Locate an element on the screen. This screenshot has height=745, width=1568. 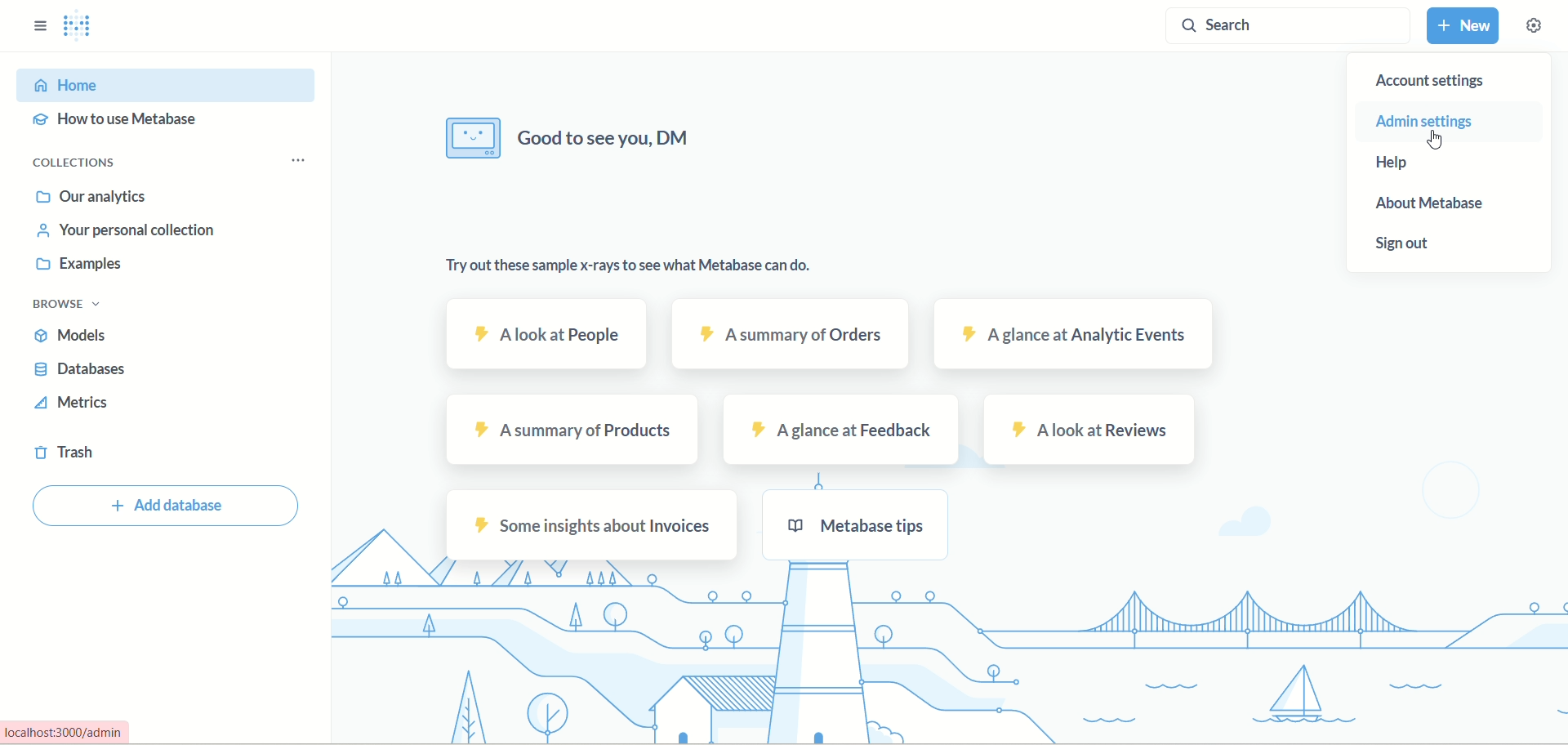
browse is located at coordinates (76, 305).